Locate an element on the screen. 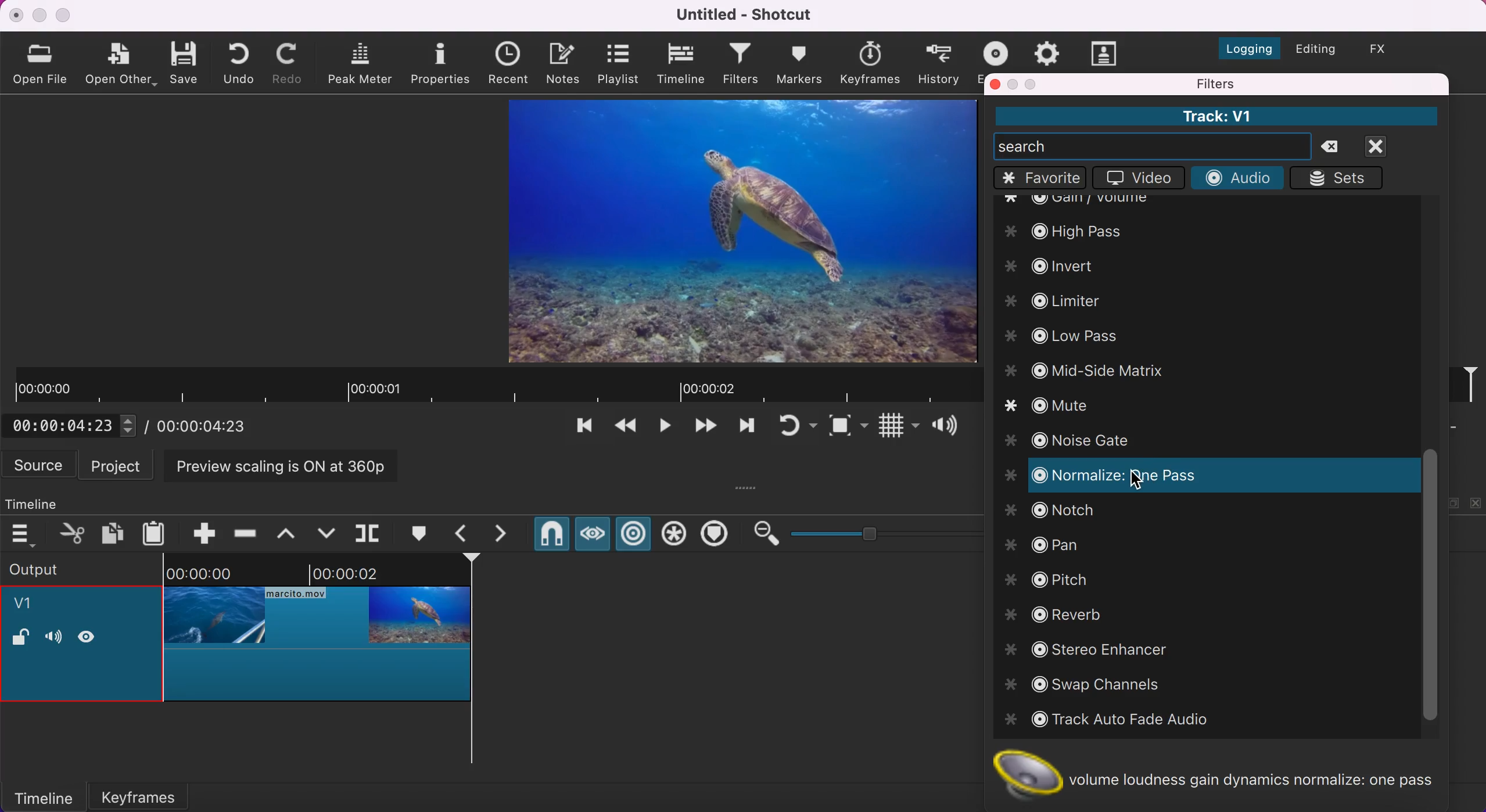 The height and width of the screenshot is (812, 1486). maximize is located at coordinates (1033, 84).